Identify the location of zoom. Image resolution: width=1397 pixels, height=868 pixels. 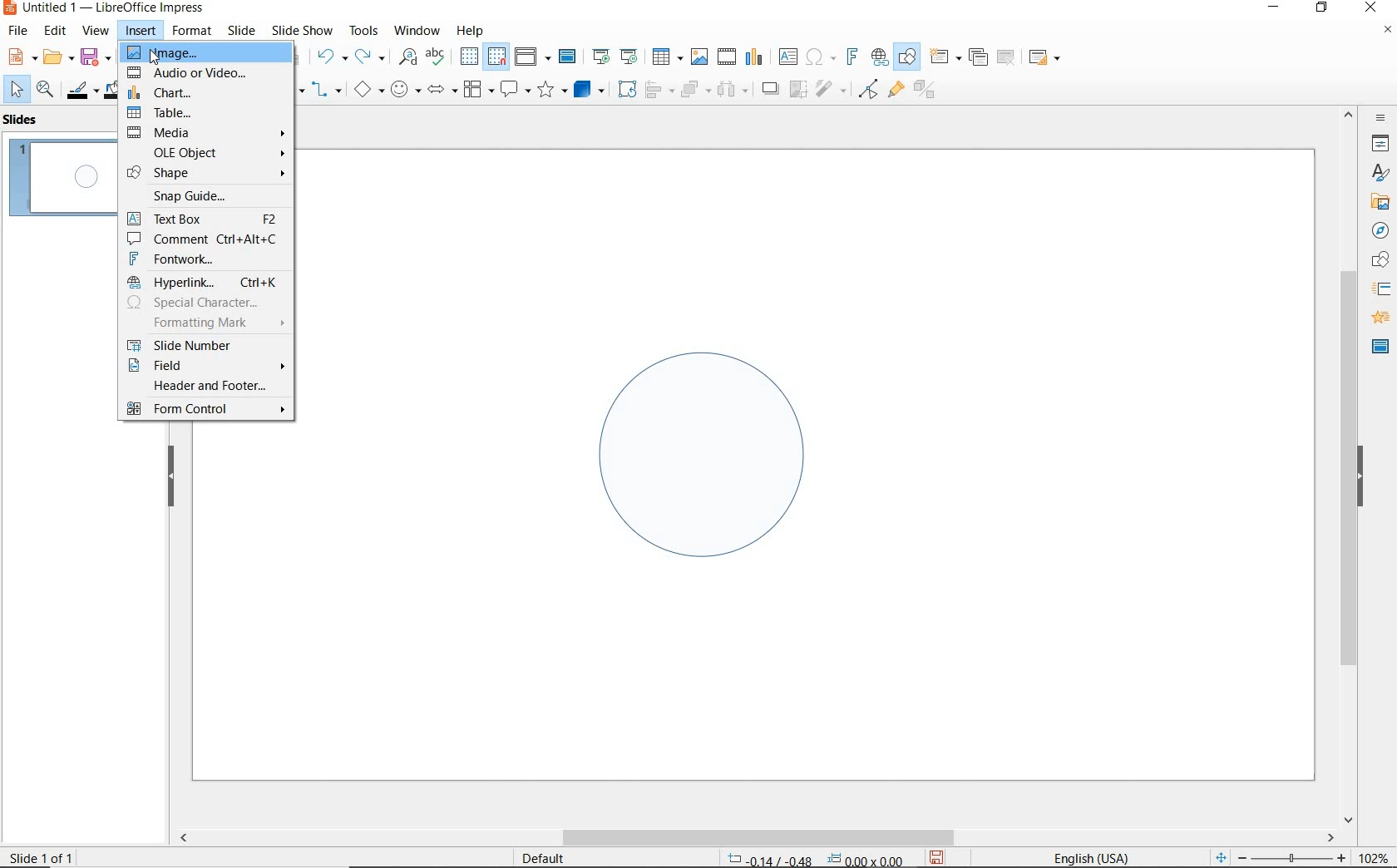
(1296, 858).